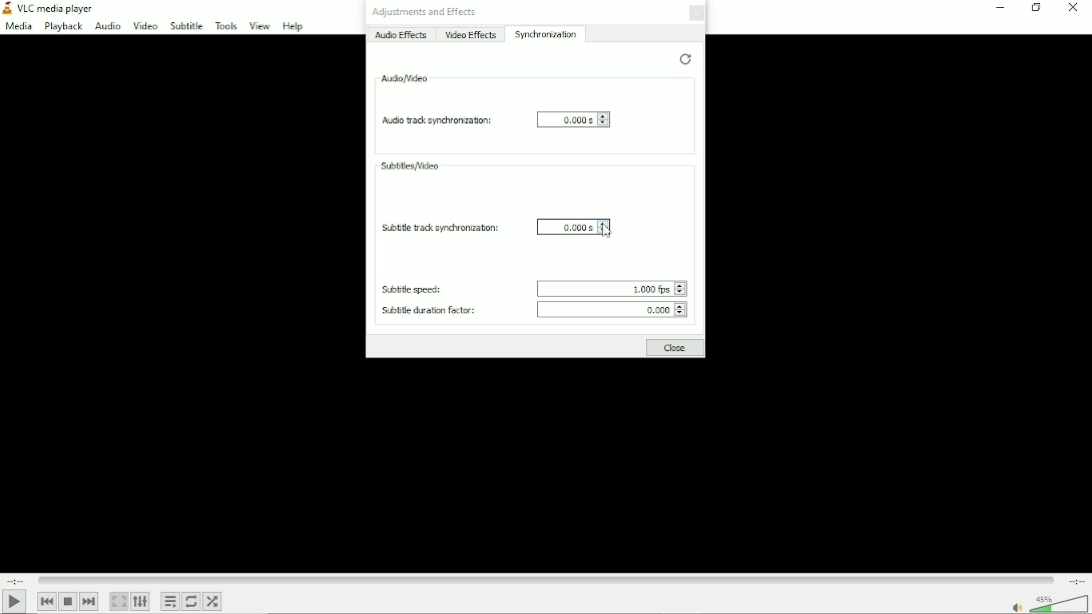 The width and height of the screenshot is (1092, 614). What do you see at coordinates (14, 579) in the screenshot?
I see `Elapsed time` at bounding box center [14, 579].